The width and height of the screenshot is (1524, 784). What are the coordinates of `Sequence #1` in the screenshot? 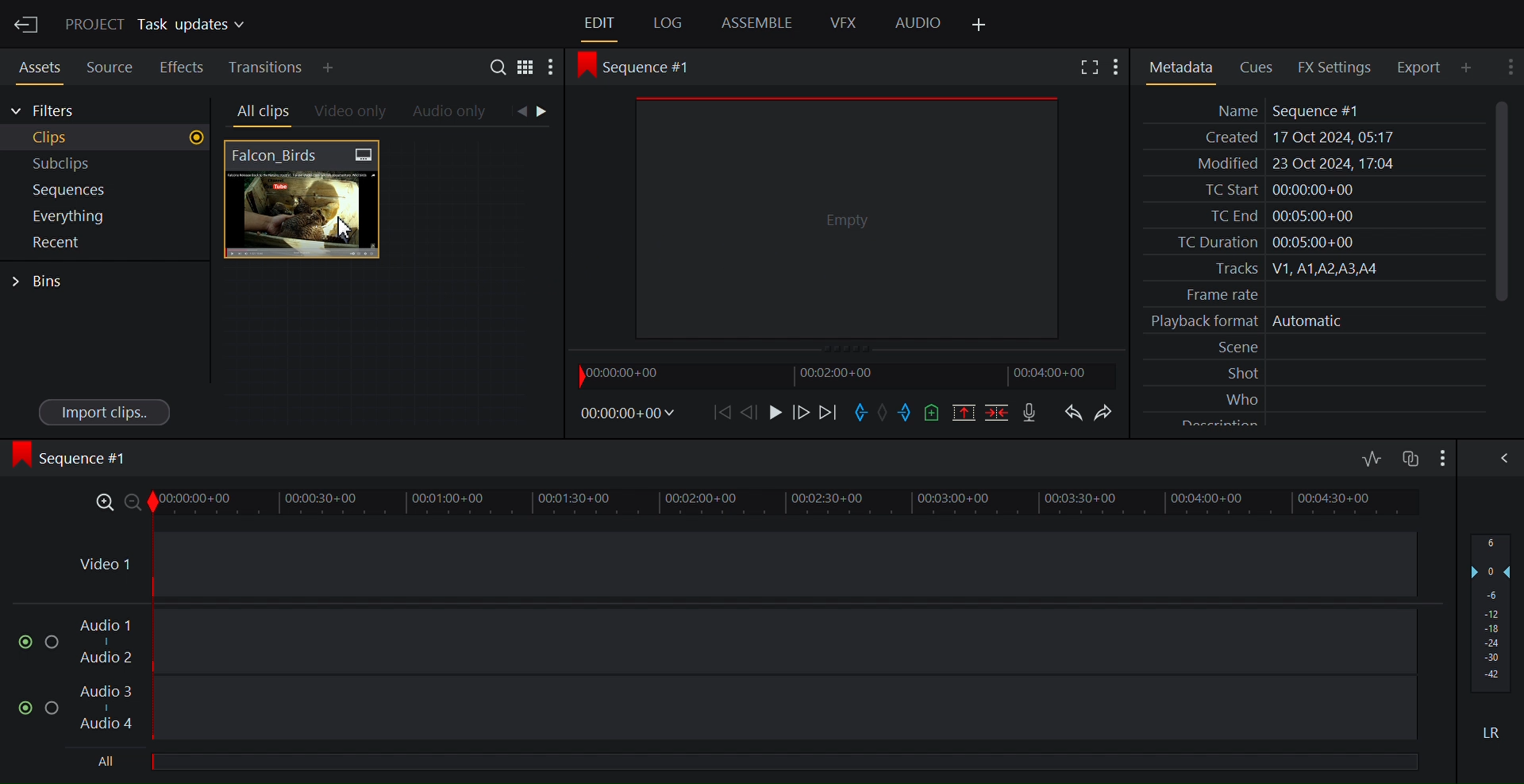 It's located at (75, 458).